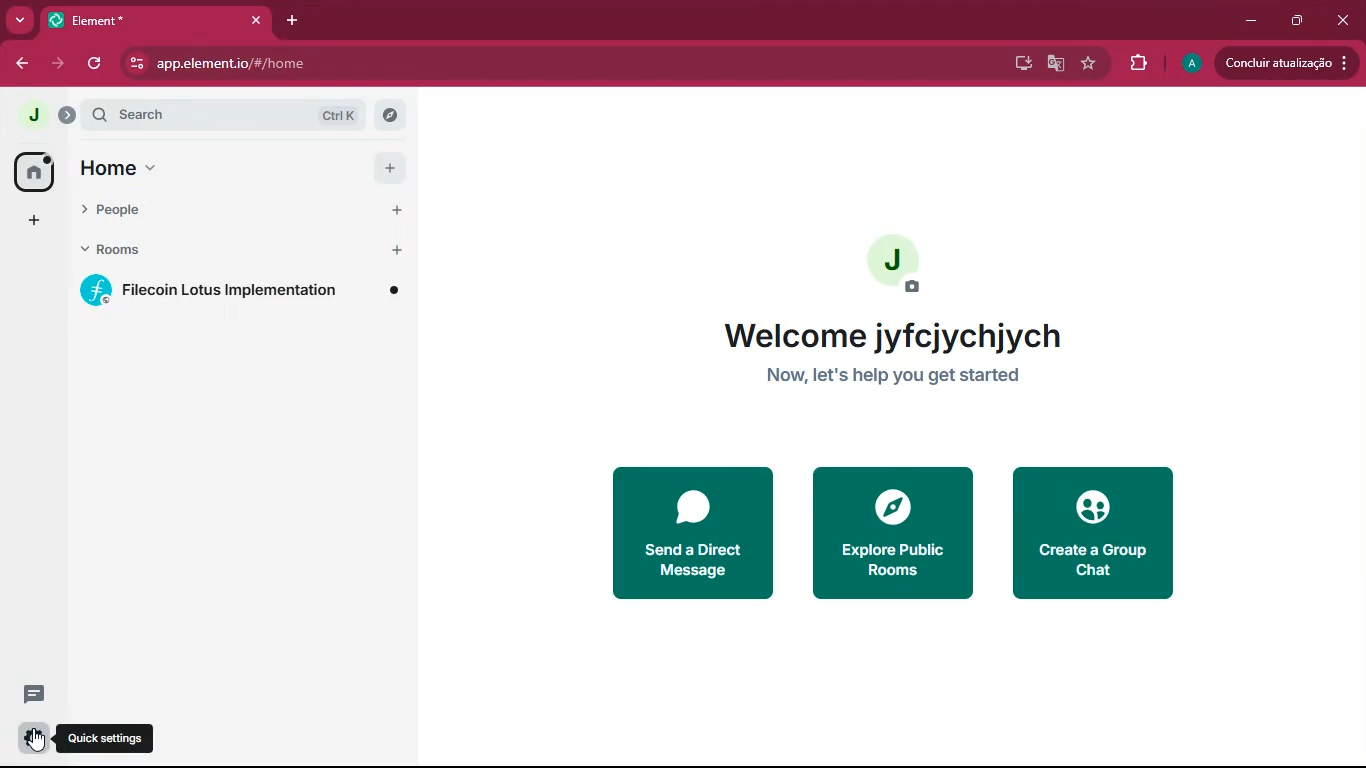 The height and width of the screenshot is (768, 1366). I want to click on conduir atualizacao, so click(1284, 64).